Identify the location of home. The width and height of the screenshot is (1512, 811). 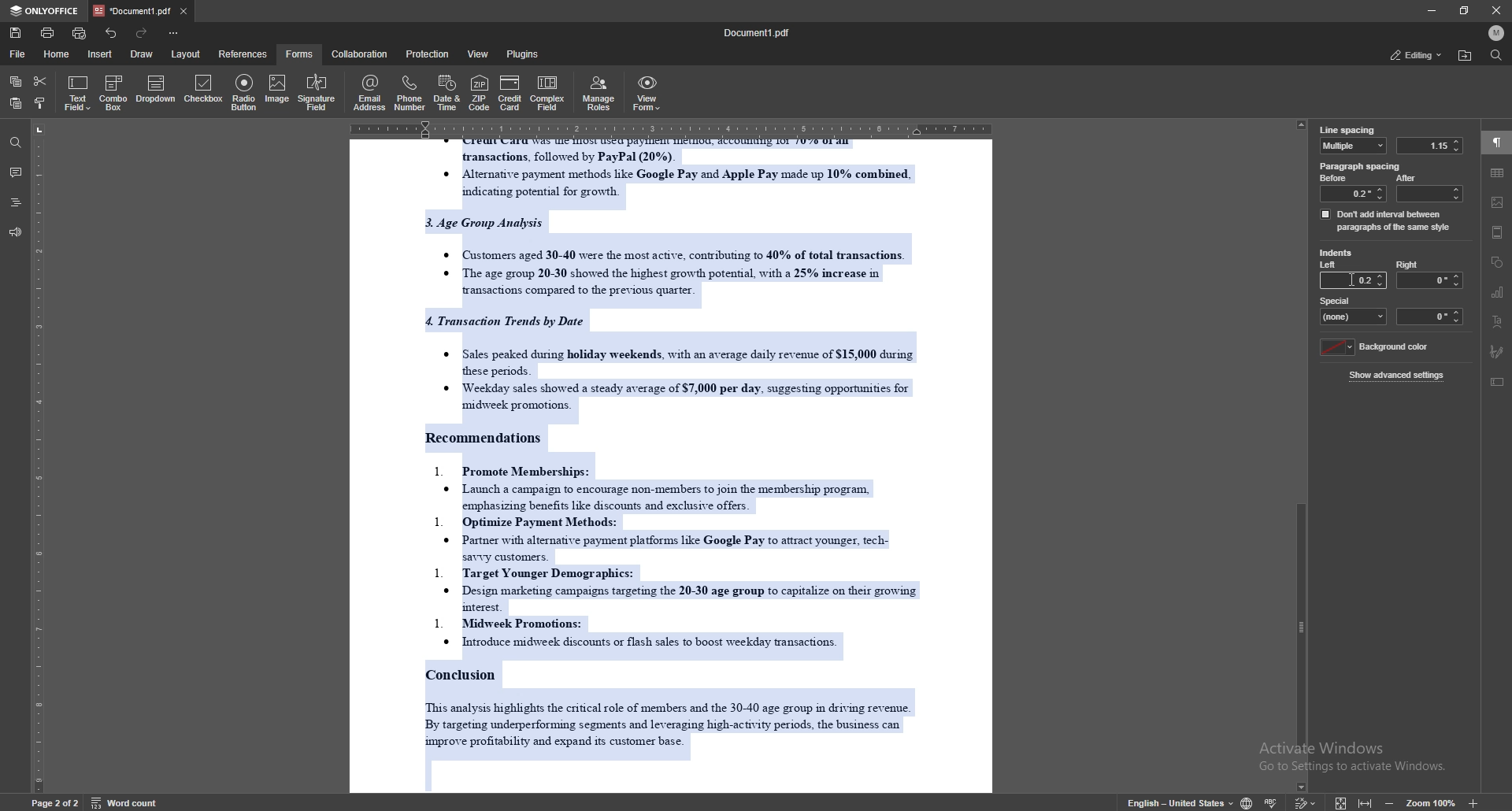
(59, 54).